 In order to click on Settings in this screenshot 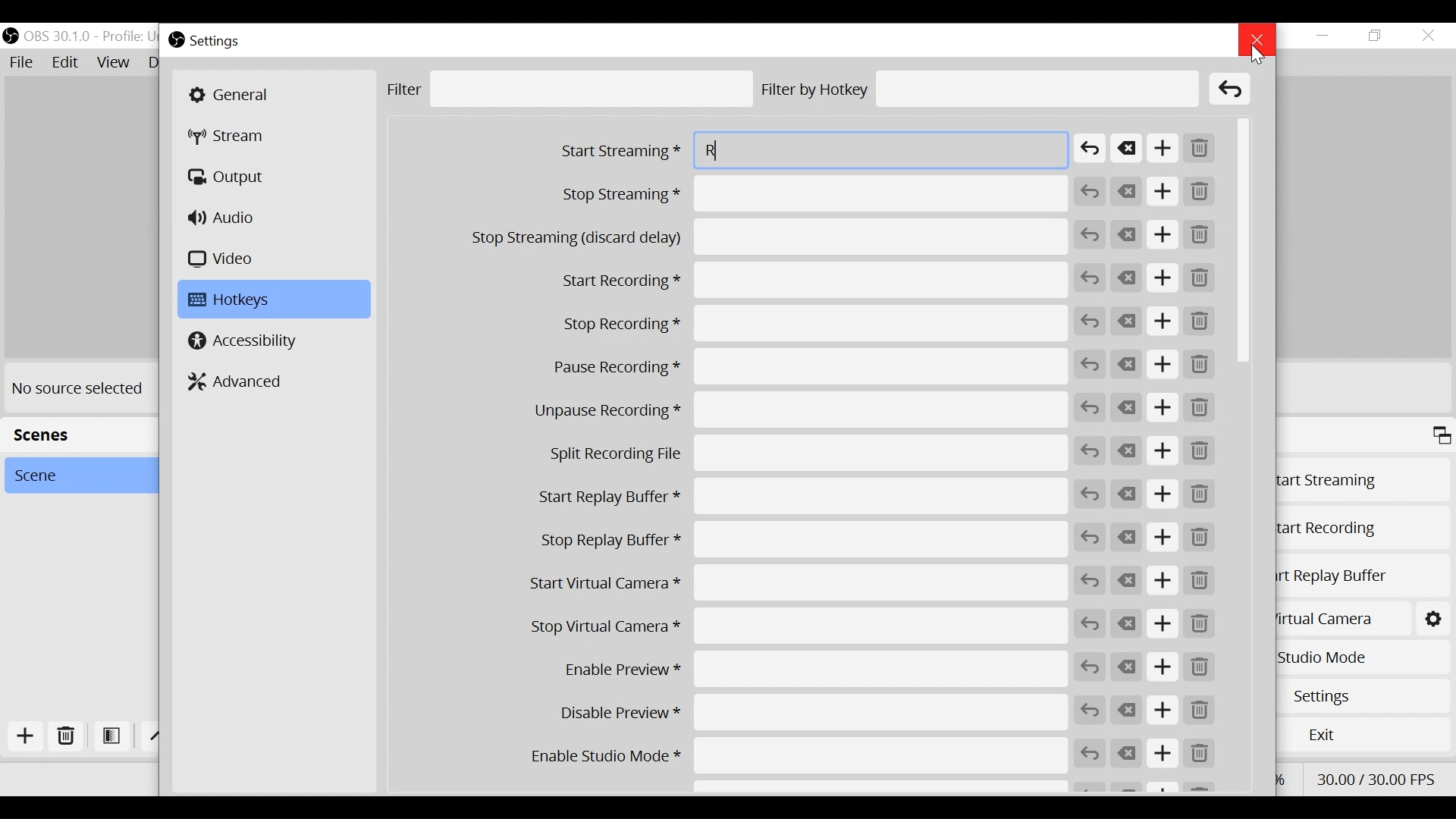, I will do `click(220, 39)`.